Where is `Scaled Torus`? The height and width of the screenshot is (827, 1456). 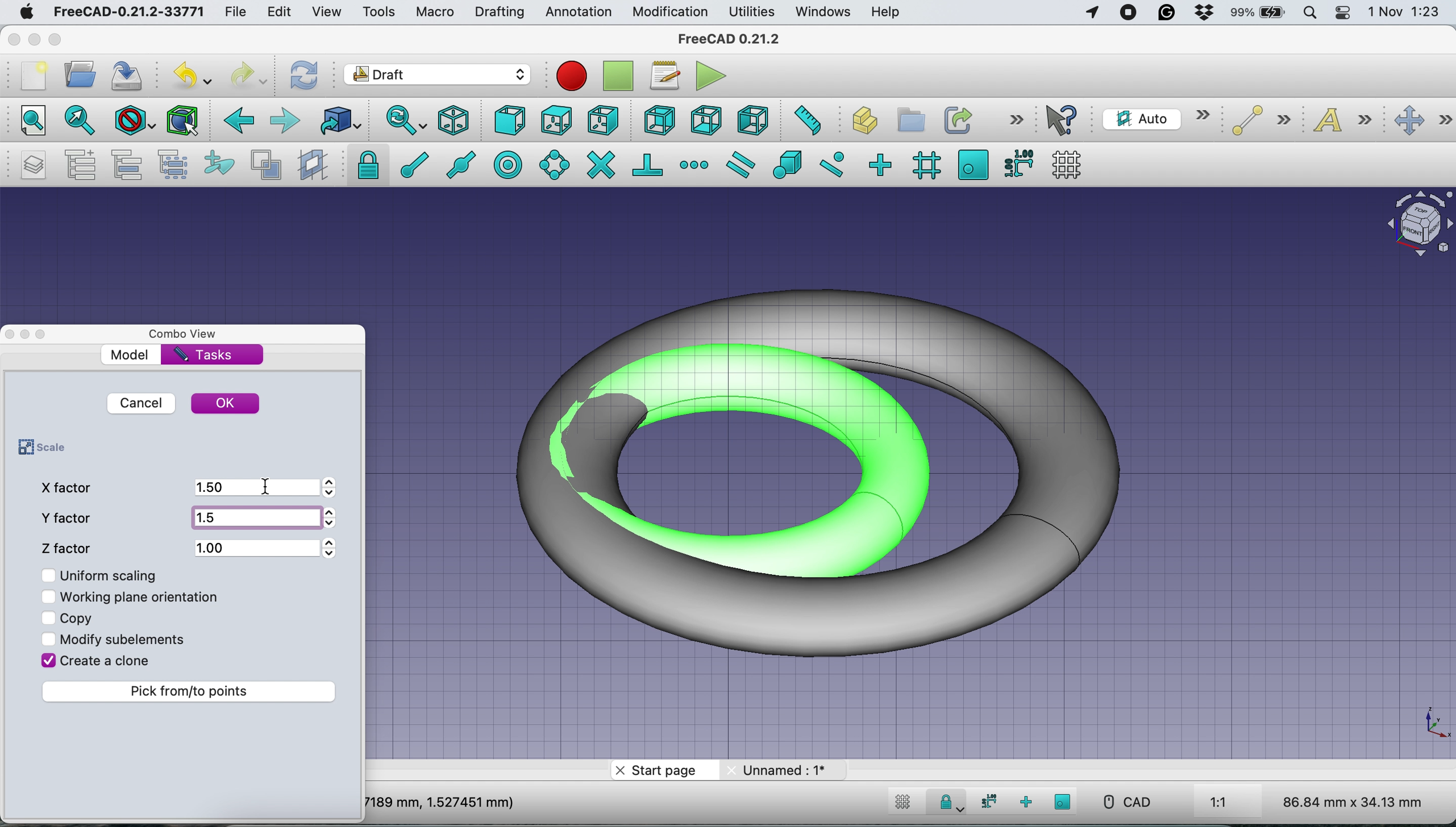 Scaled Torus is located at coordinates (835, 469).